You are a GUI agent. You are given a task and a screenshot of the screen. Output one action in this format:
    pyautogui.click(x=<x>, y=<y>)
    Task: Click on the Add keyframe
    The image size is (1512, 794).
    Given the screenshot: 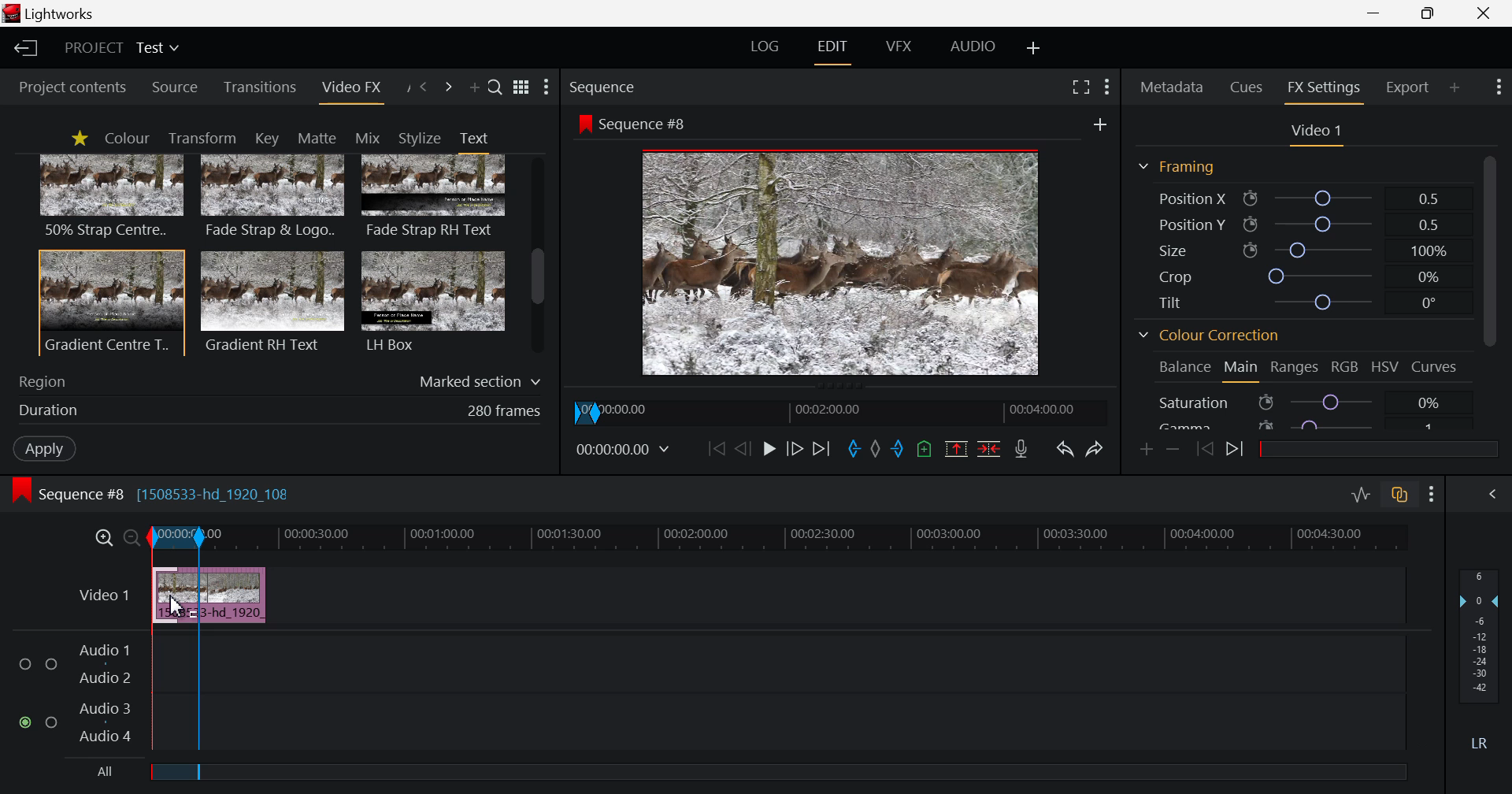 What is the action you would take?
    pyautogui.click(x=1143, y=448)
    